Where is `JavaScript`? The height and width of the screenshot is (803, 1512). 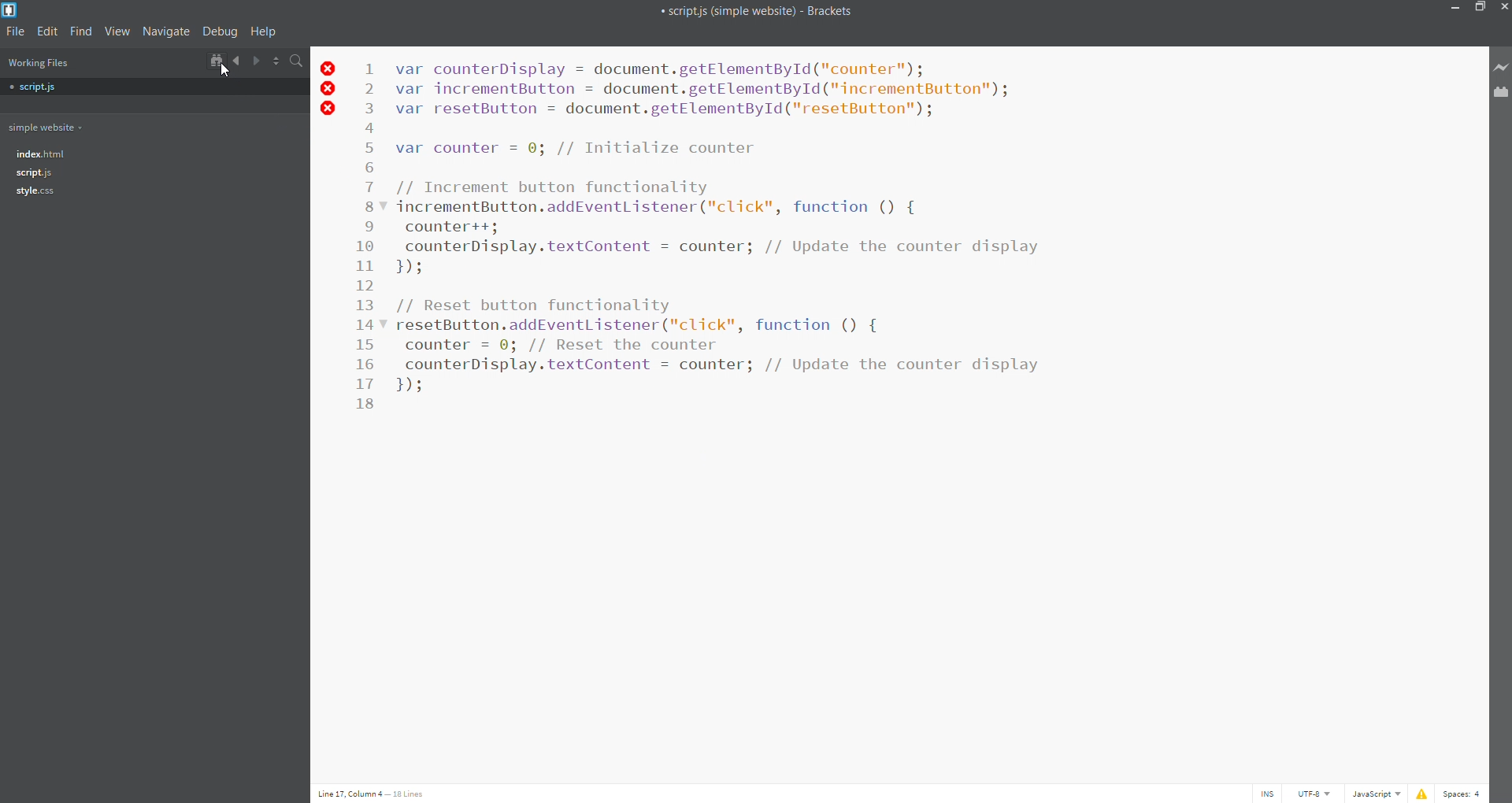
JavaScript is located at coordinates (1371, 794).